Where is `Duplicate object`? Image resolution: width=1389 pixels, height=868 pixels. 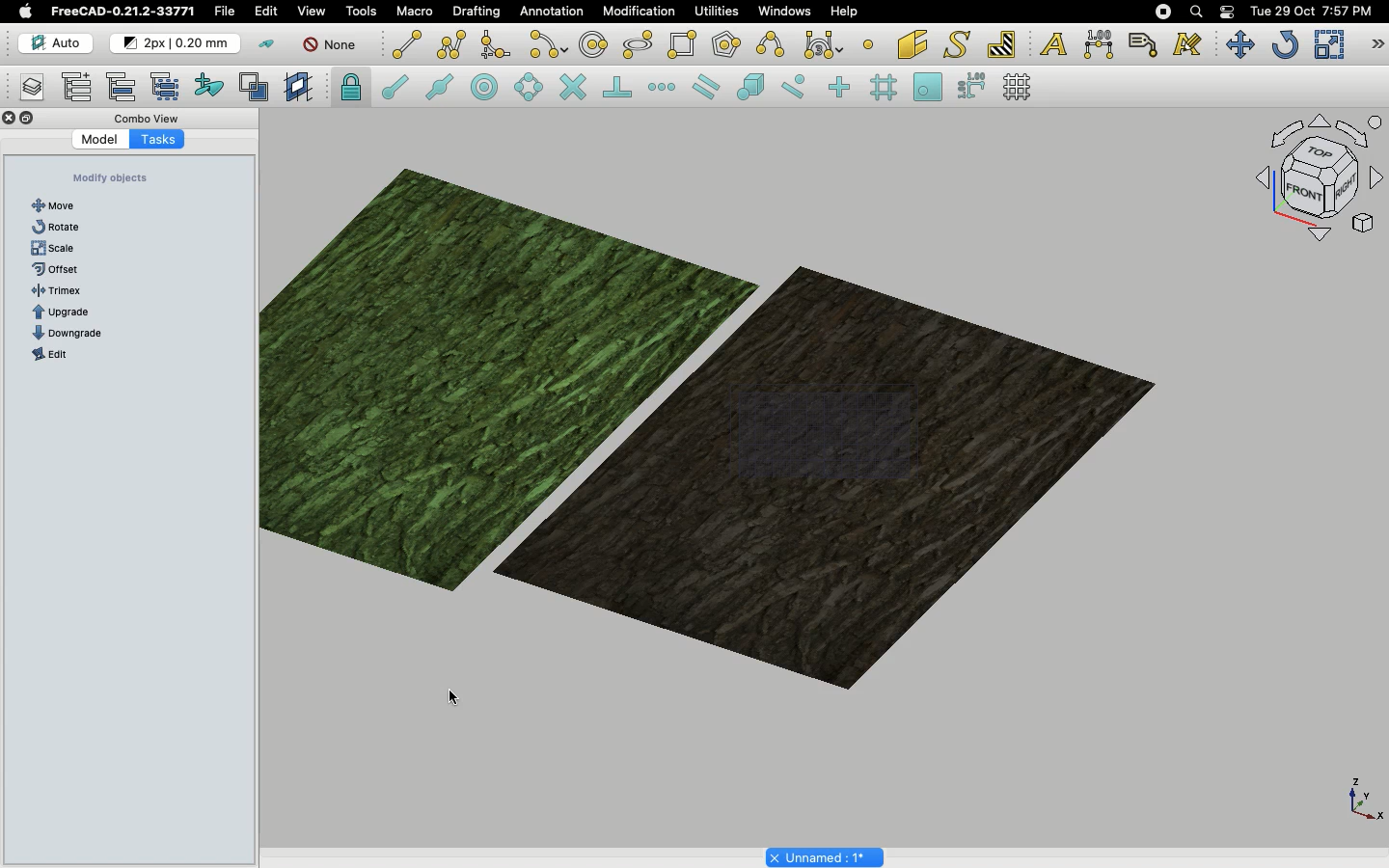 Duplicate object is located at coordinates (718, 417).